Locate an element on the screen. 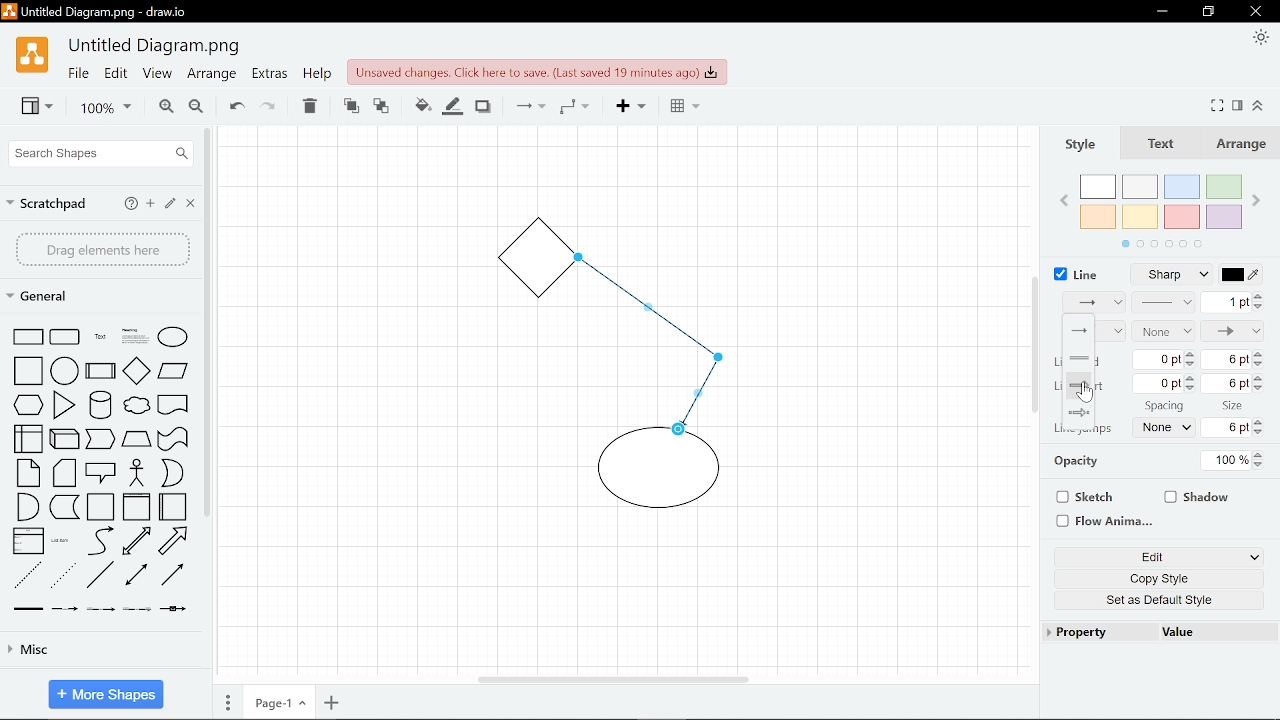  space is located at coordinates (1163, 406).